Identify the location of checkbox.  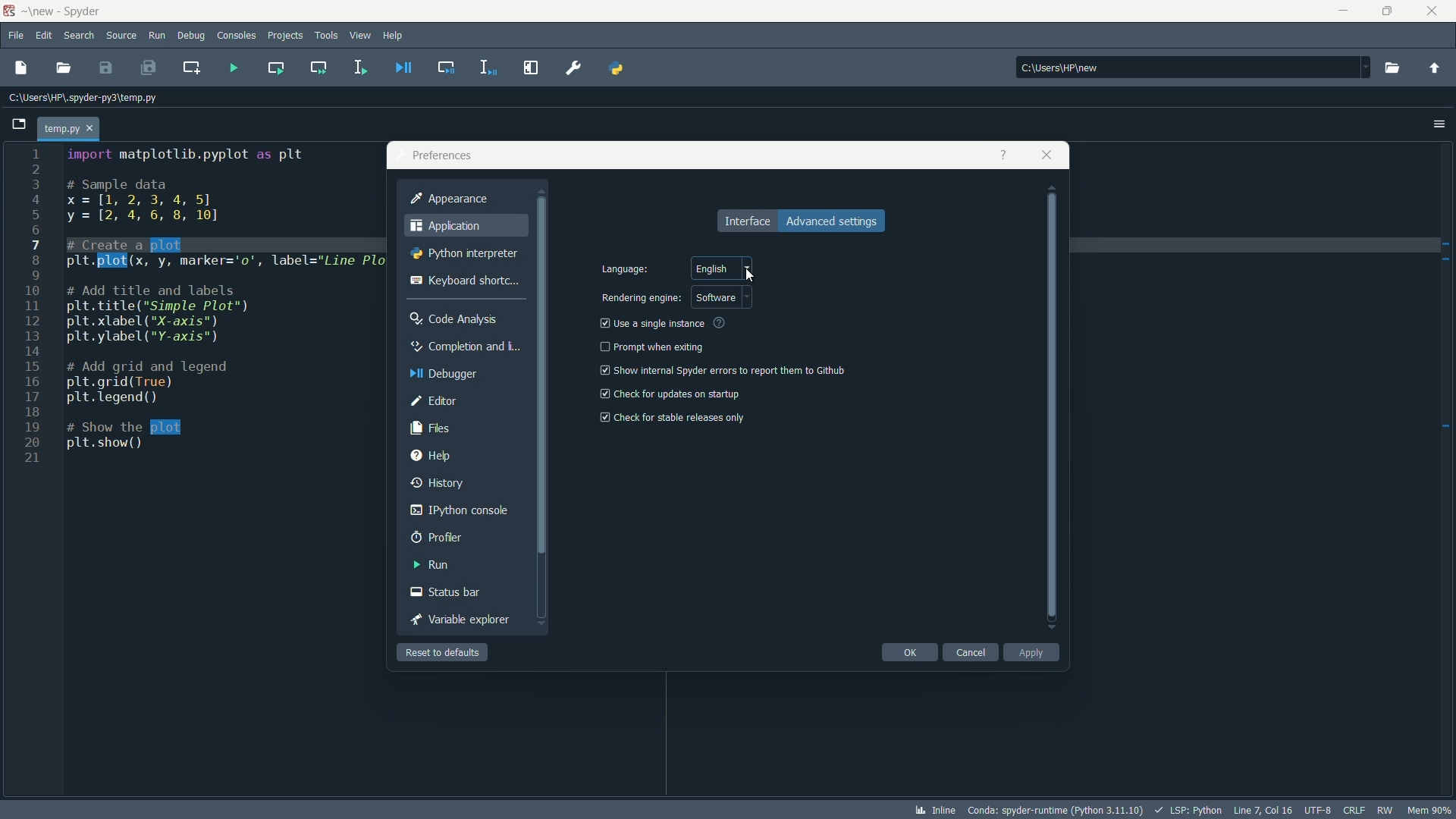
(604, 394).